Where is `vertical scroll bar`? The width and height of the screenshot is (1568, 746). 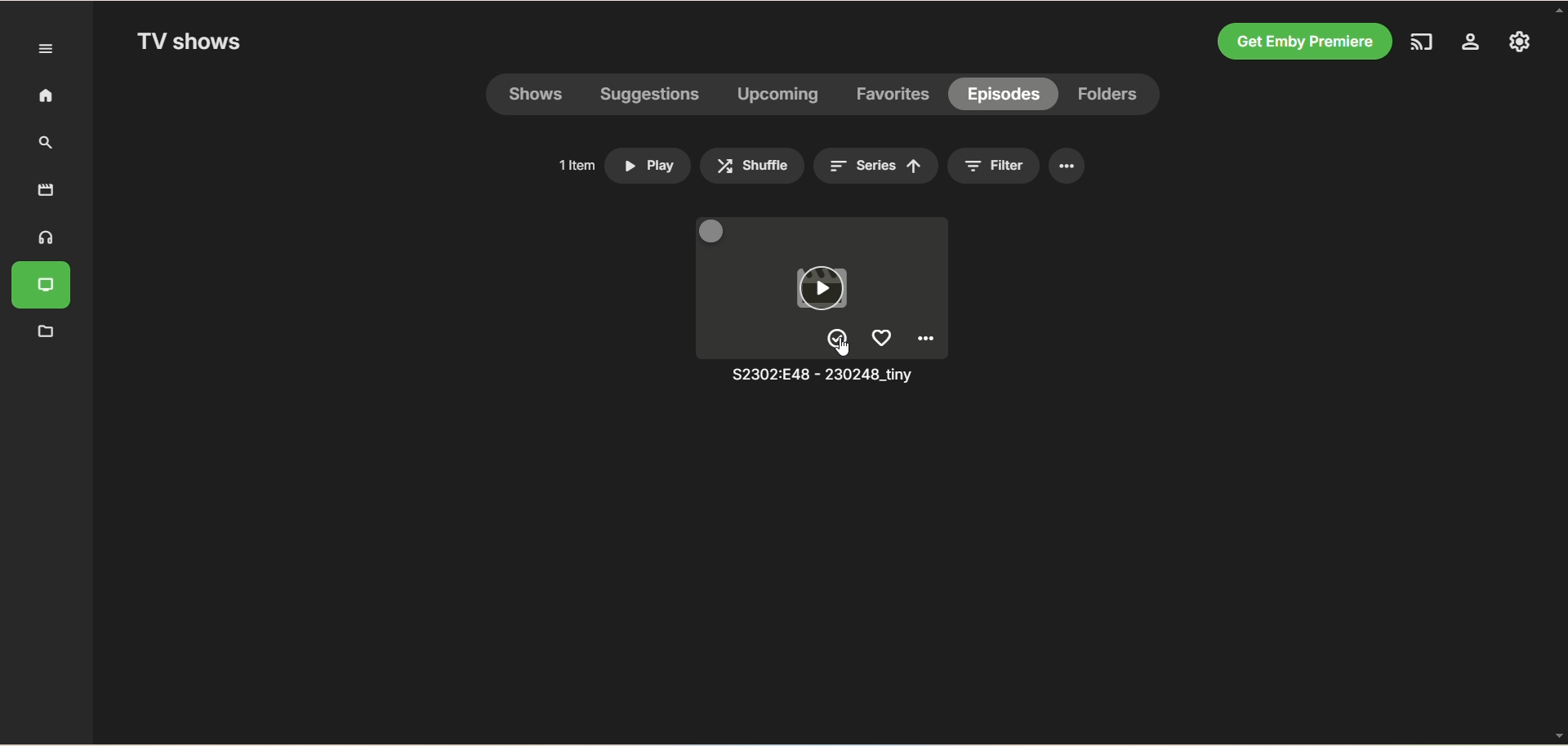
vertical scroll bar is located at coordinates (1558, 373).